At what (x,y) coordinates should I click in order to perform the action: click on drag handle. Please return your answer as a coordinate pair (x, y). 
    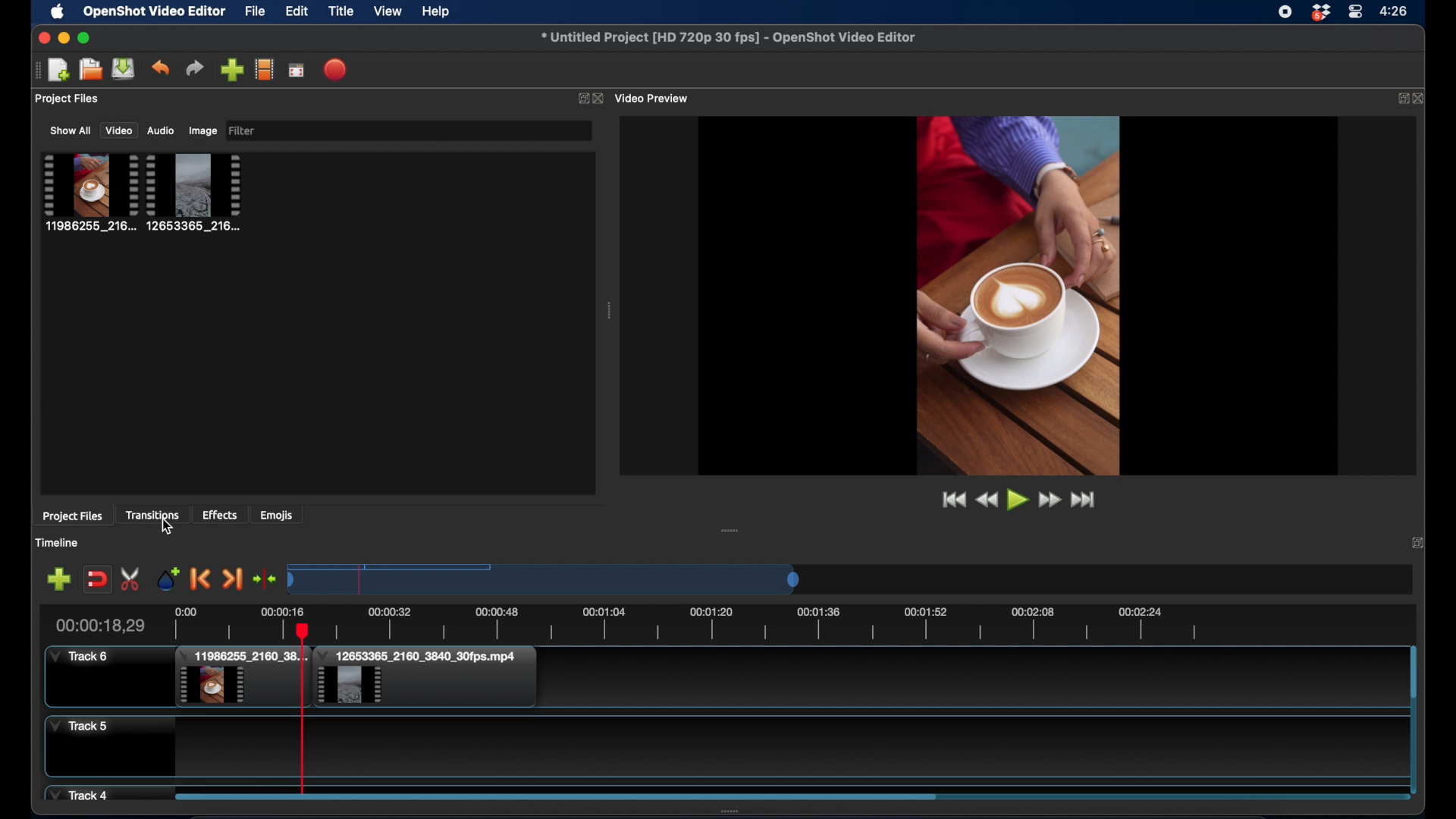
    Looking at the image, I should click on (731, 530).